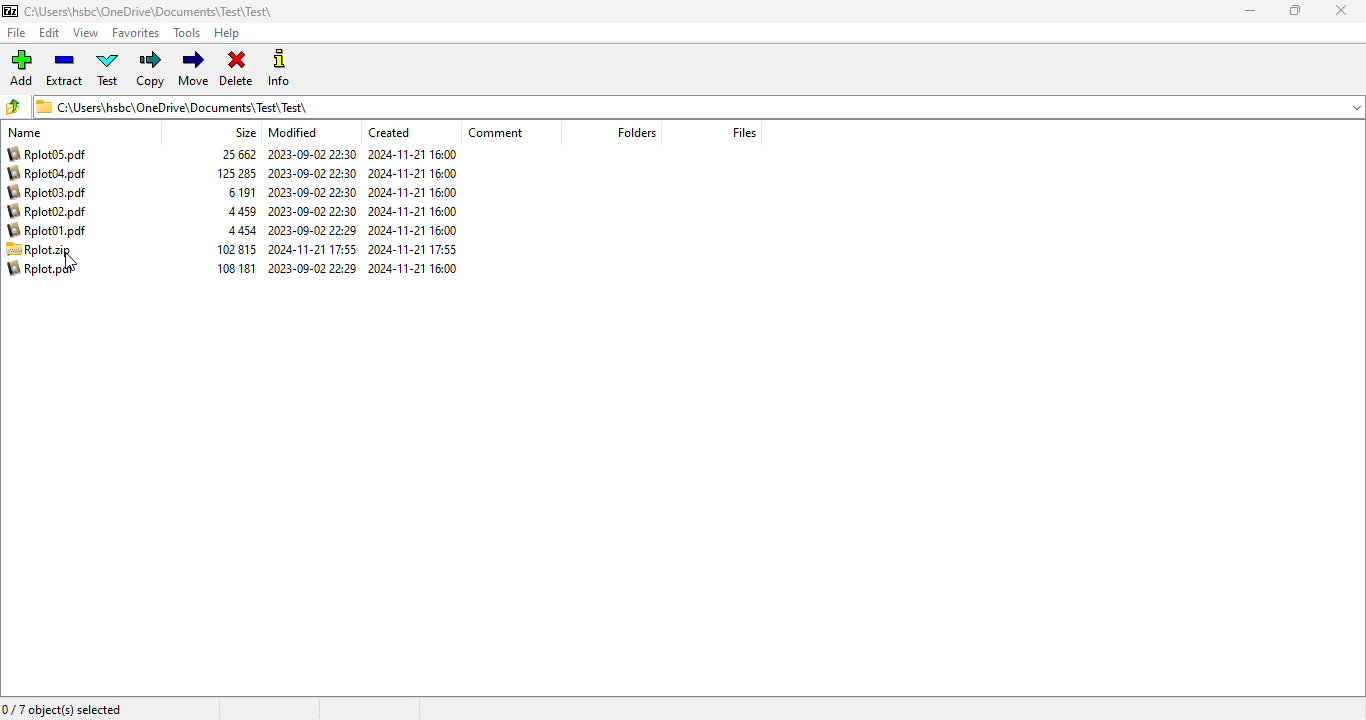  What do you see at coordinates (49, 269) in the screenshot?
I see `Rplot.pdf ` at bounding box center [49, 269].